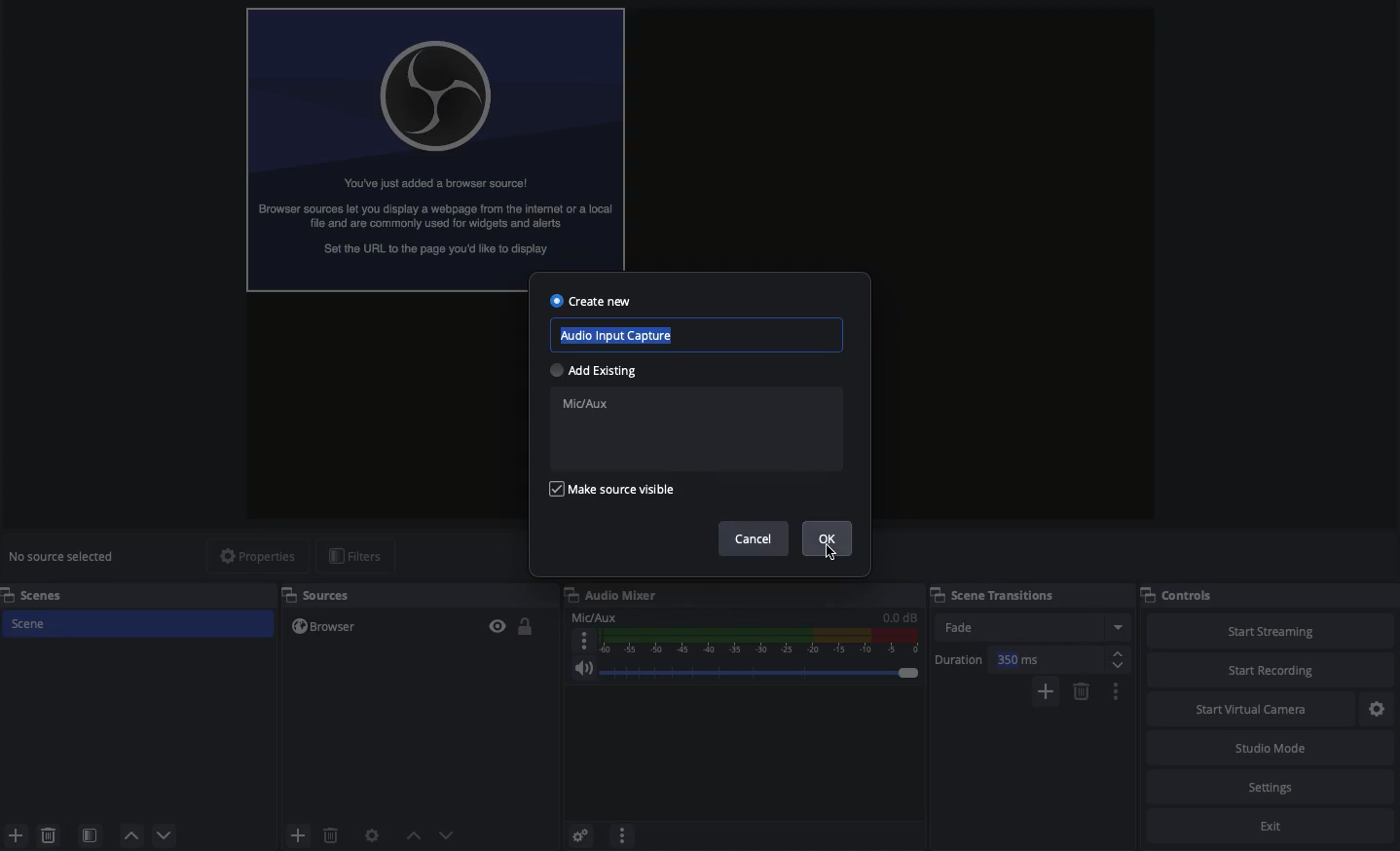 The width and height of the screenshot is (1400, 851). What do you see at coordinates (435, 150) in the screenshot?
I see `File` at bounding box center [435, 150].